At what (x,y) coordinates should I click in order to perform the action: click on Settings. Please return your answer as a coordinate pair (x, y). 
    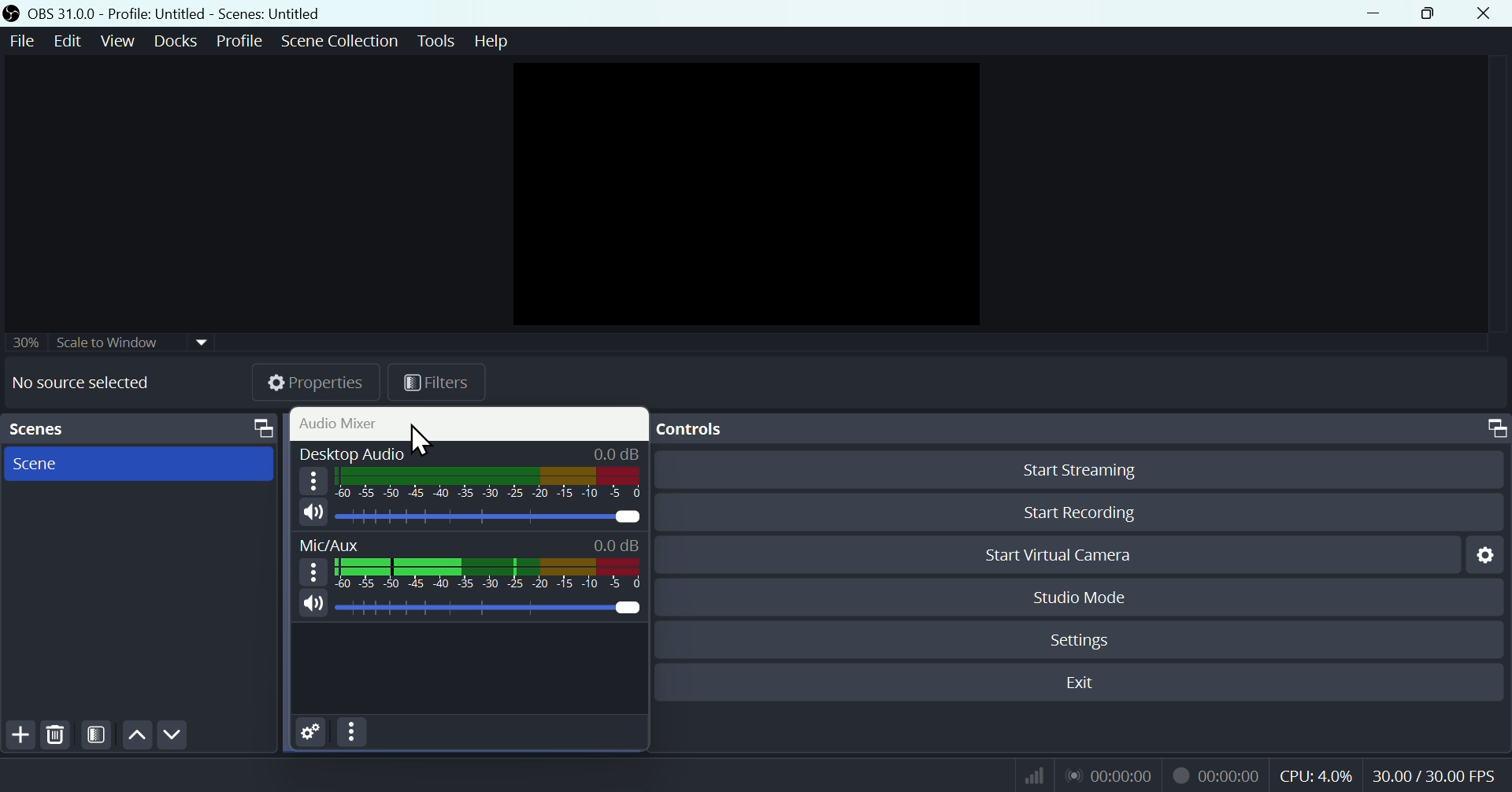
    Looking at the image, I should click on (1488, 554).